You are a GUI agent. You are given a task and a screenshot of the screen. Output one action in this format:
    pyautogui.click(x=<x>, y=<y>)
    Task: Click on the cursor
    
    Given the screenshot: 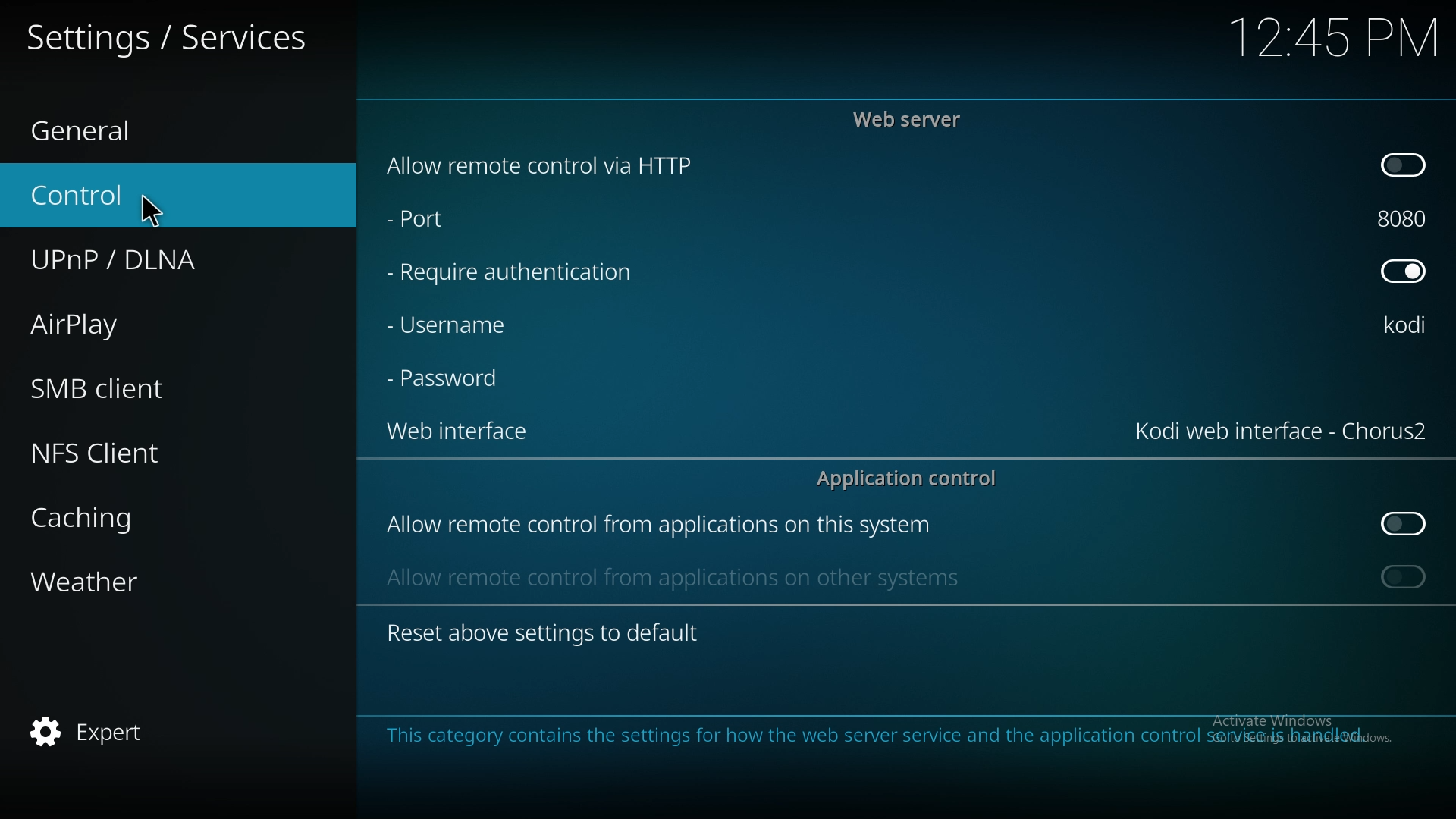 What is the action you would take?
    pyautogui.click(x=154, y=209)
    